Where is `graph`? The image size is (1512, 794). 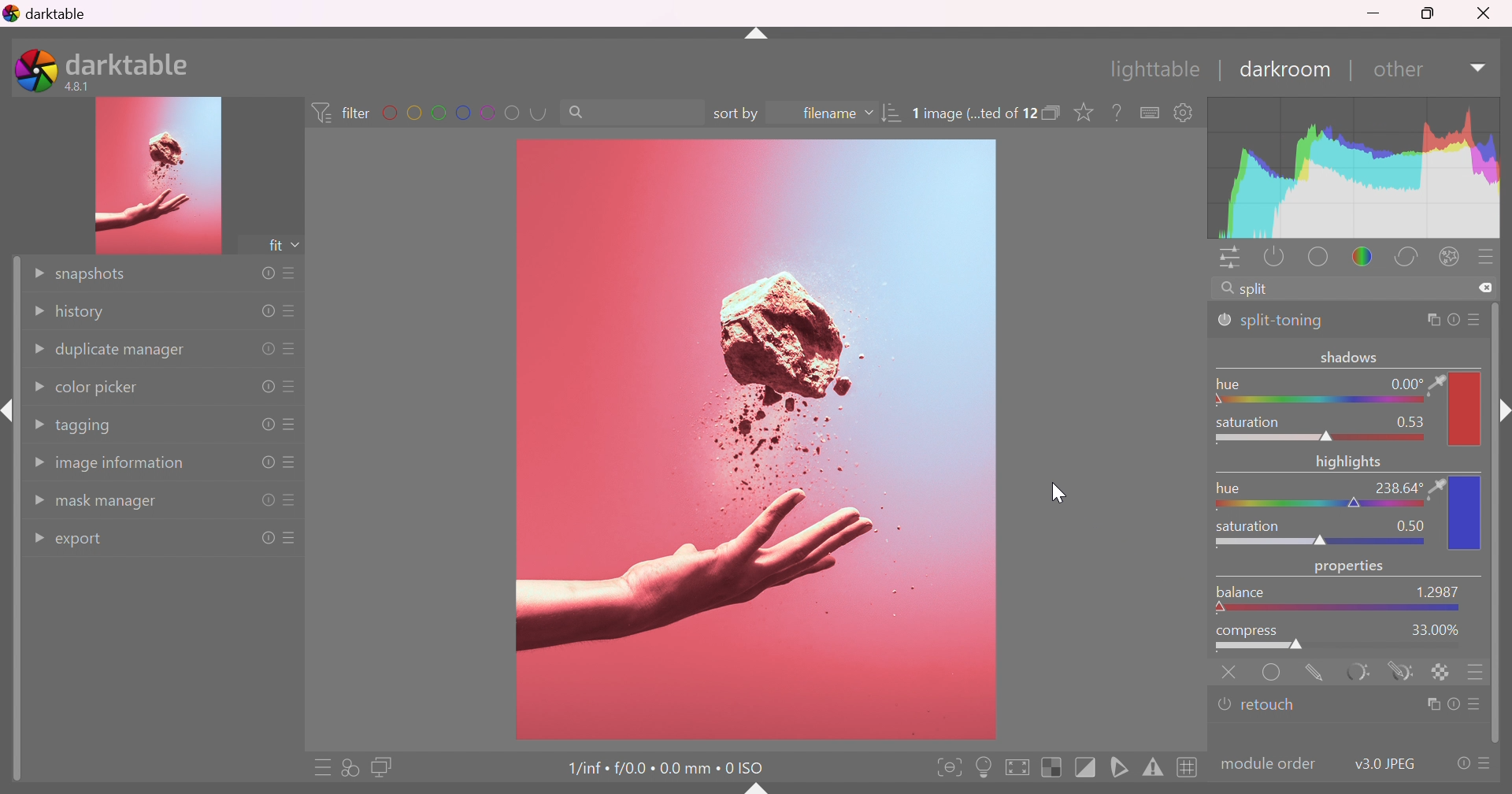 graph is located at coordinates (1354, 169).